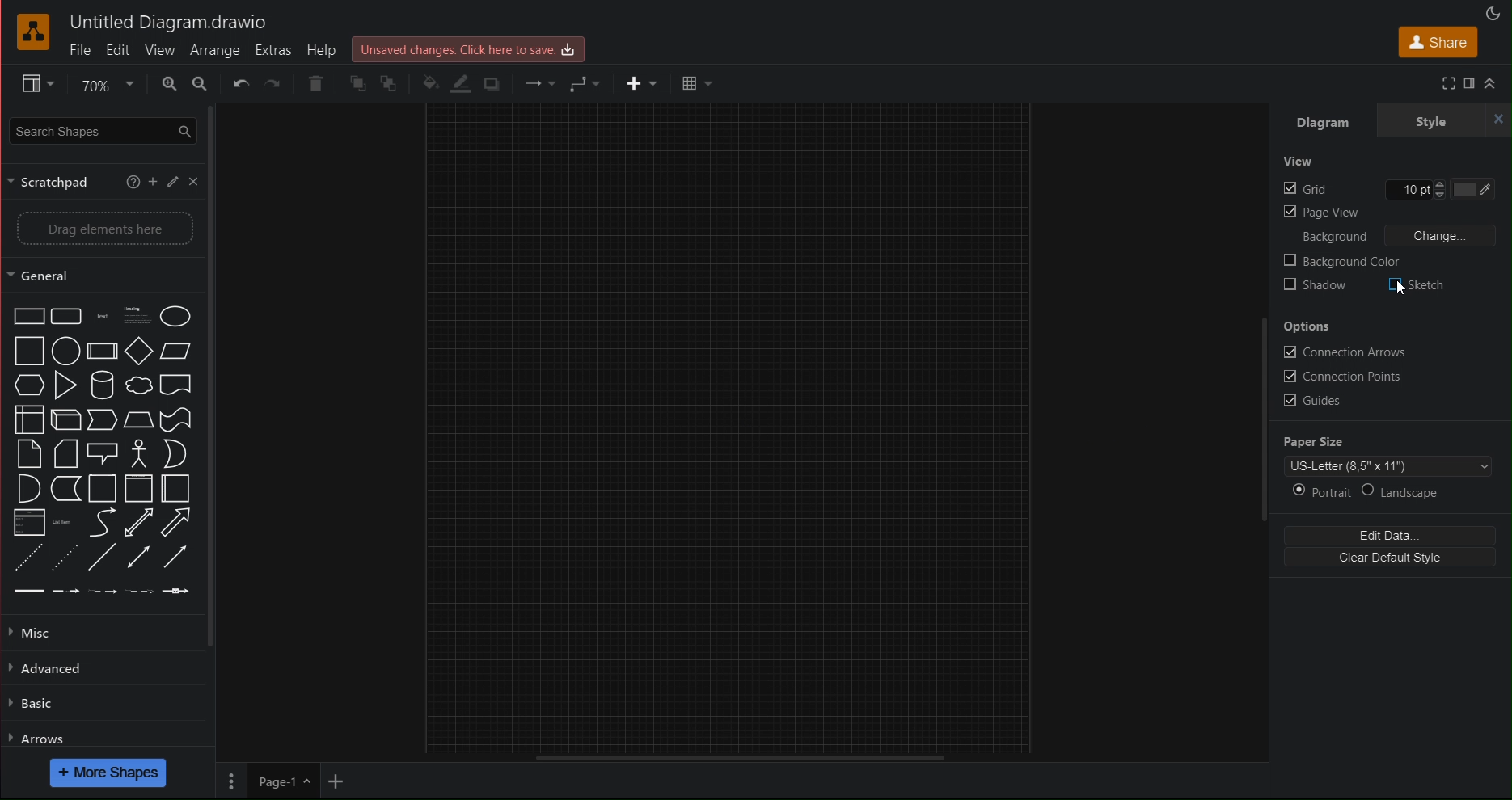 The image size is (1512, 800). Describe the element at coordinates (1344, 260) in the screenshot. I see `Background Color` at that location.